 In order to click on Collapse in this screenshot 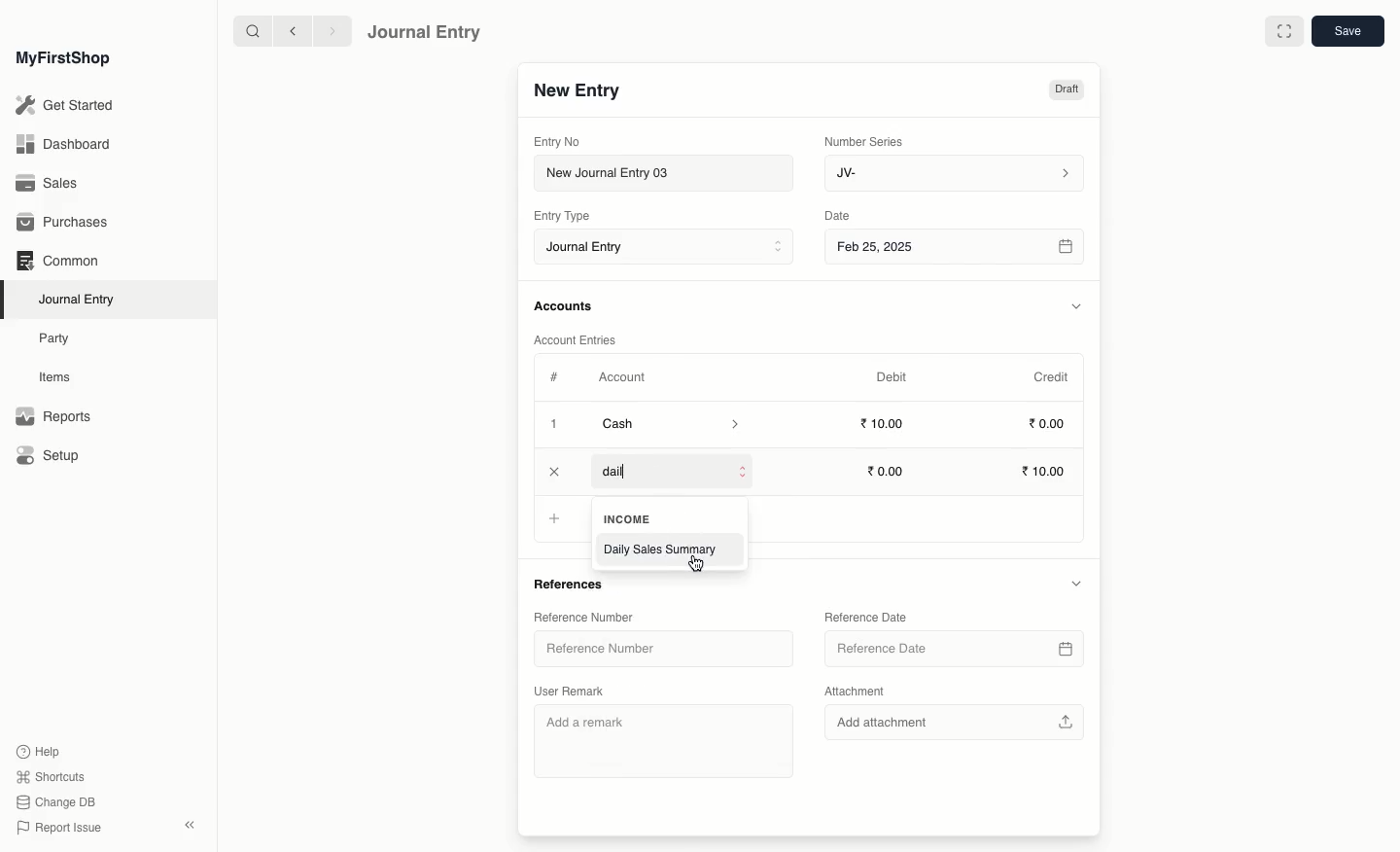, I will do `click(190, 825)`.